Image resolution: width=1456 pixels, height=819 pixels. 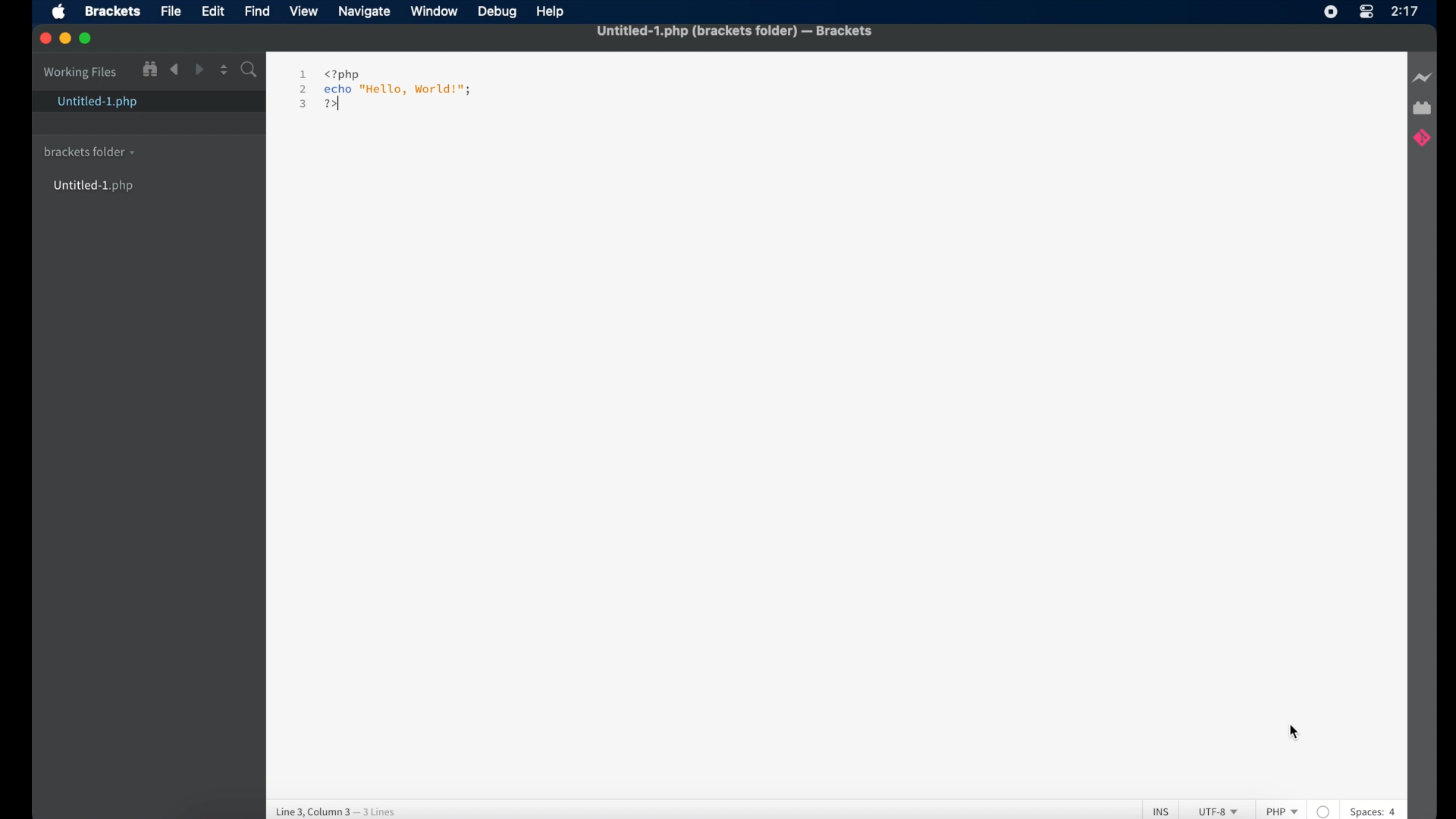 I want to click on cursor, so click(x=1294, y=734).